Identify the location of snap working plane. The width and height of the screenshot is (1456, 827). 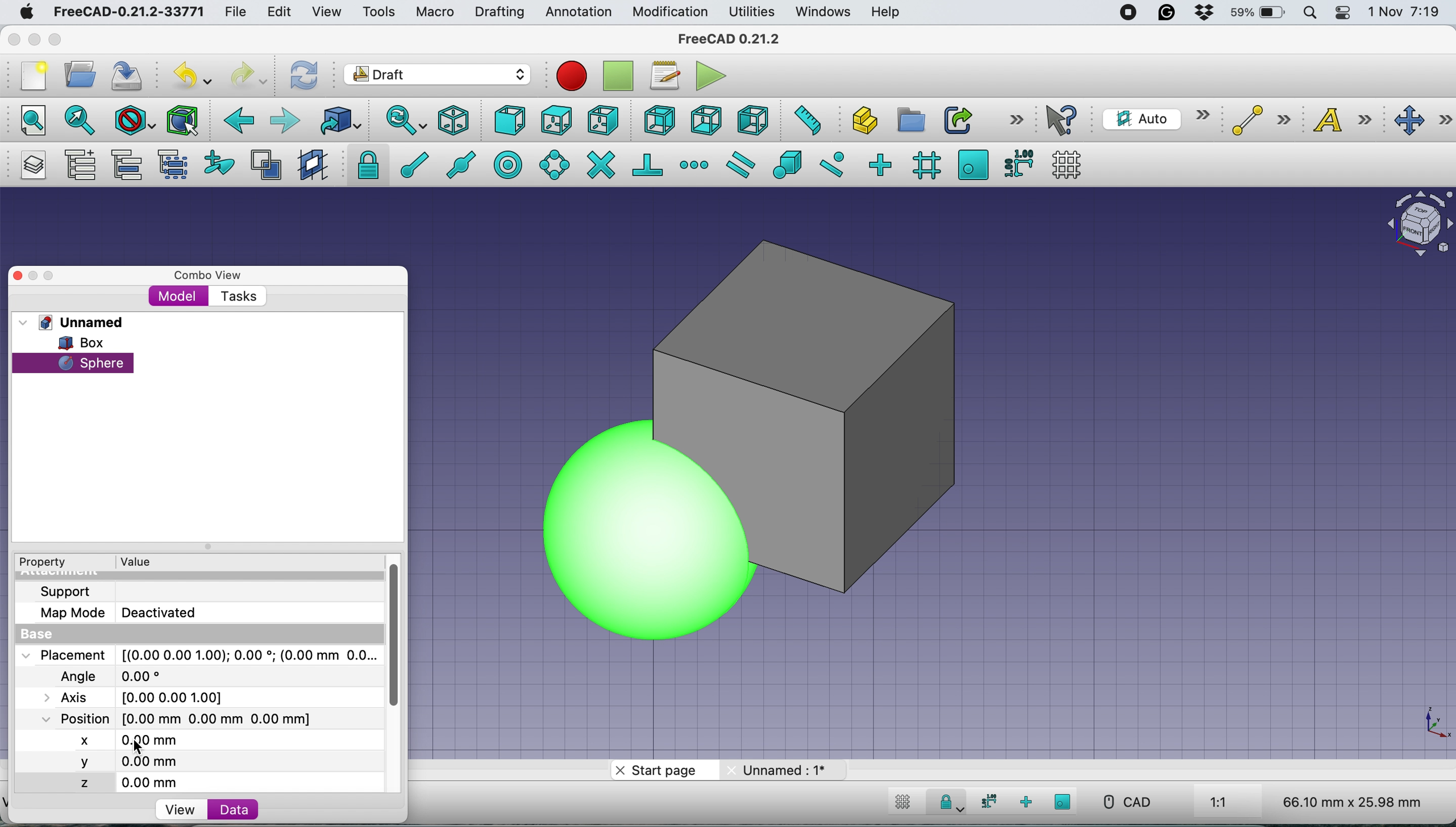
(973, 164).